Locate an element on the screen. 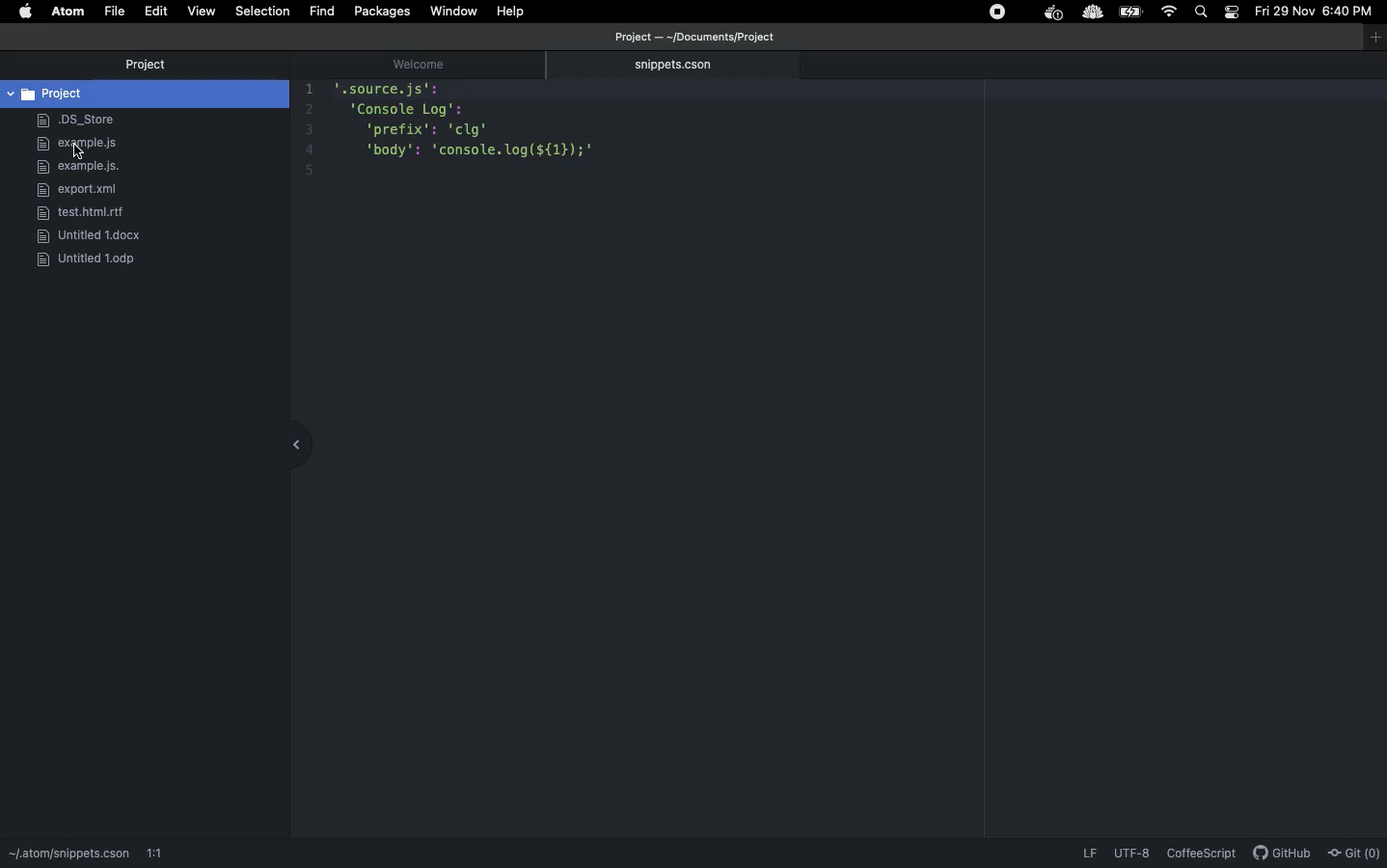 The image size is (1387, 868). Extensions is located at coordinates (1004, 12).